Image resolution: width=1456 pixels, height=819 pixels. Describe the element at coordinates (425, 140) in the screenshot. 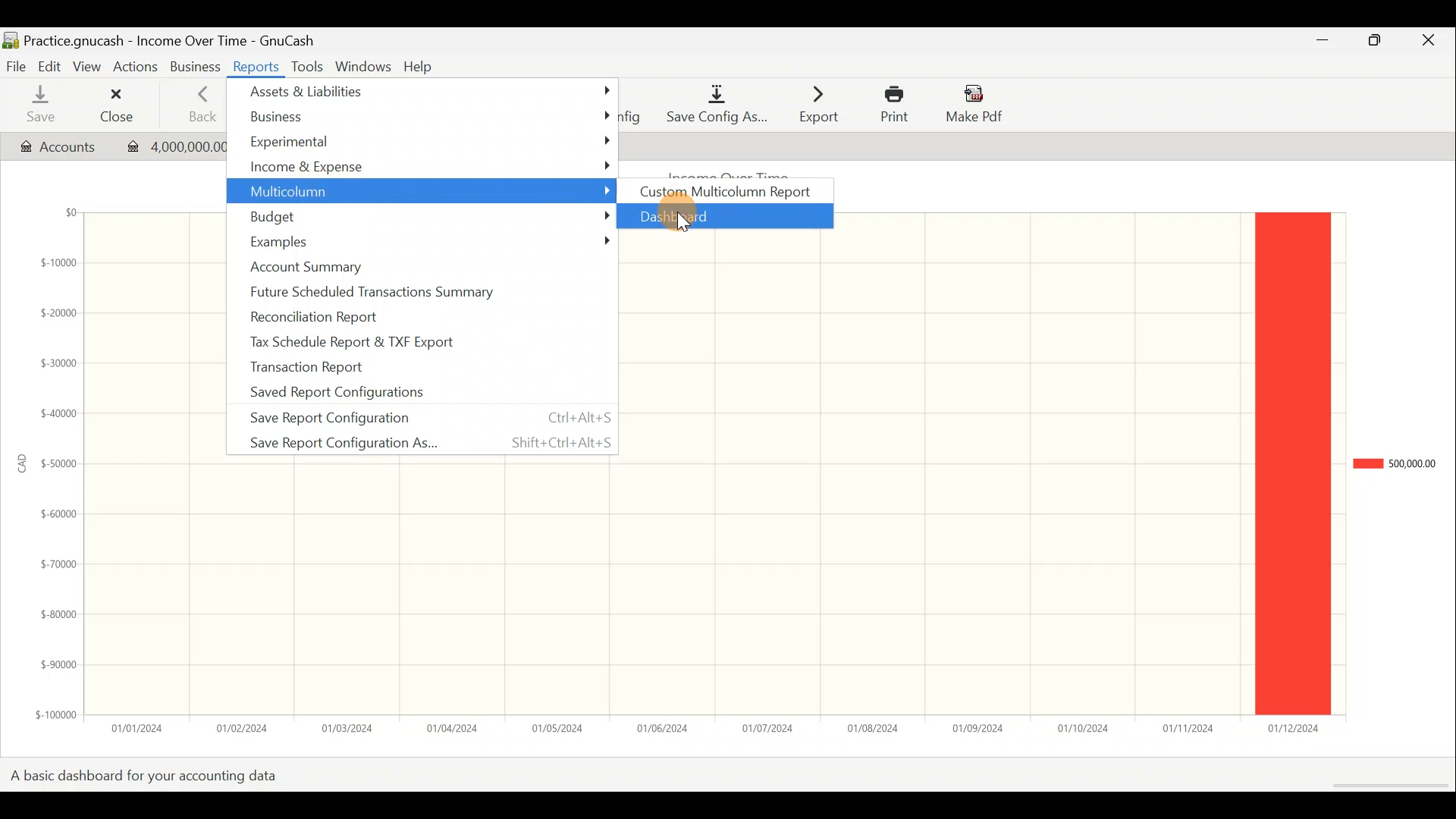

I see `Experimental` at that location.